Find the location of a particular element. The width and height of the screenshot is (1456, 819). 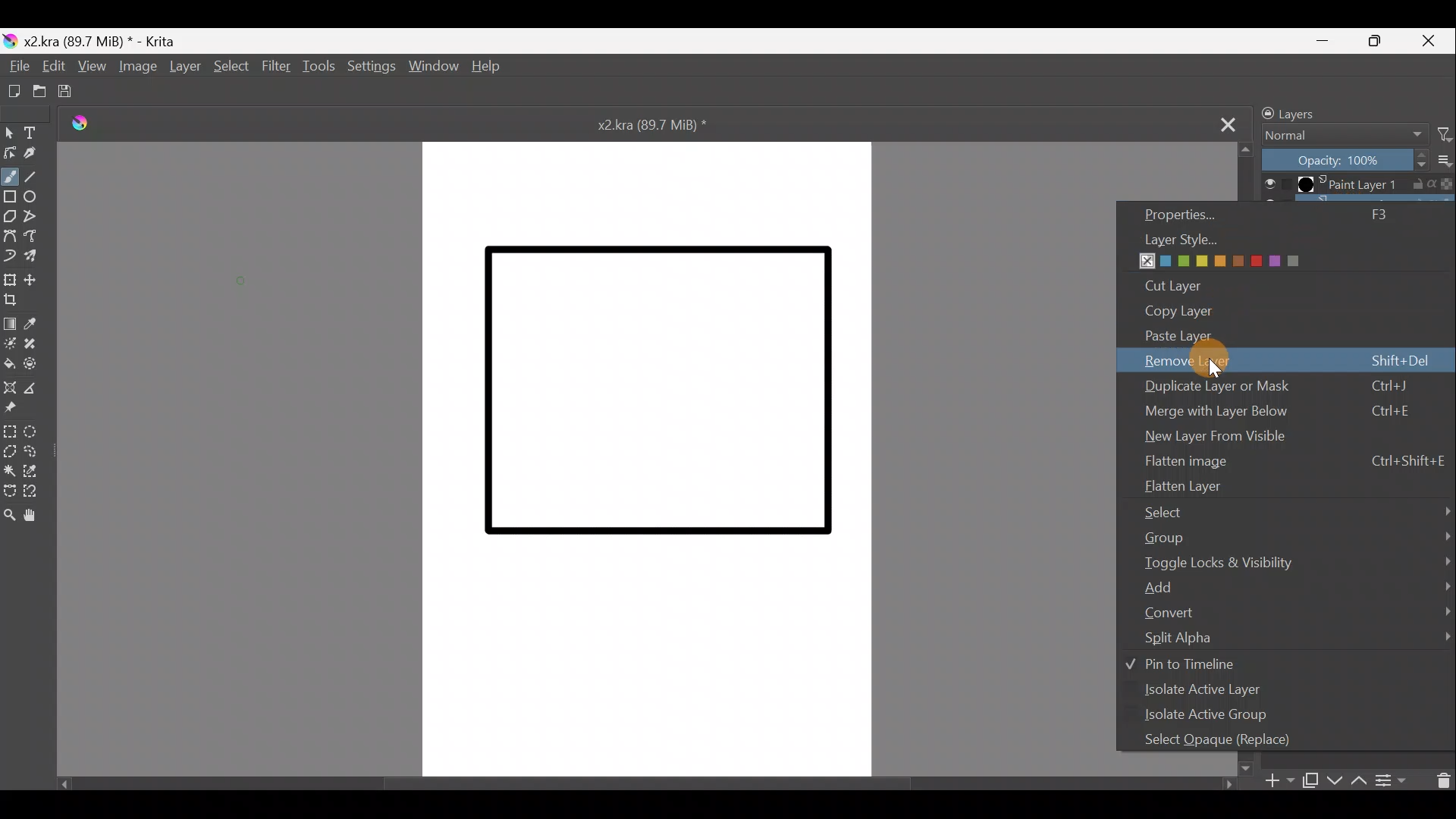

Rectangular selection tool is located at coordinates (11, 431).